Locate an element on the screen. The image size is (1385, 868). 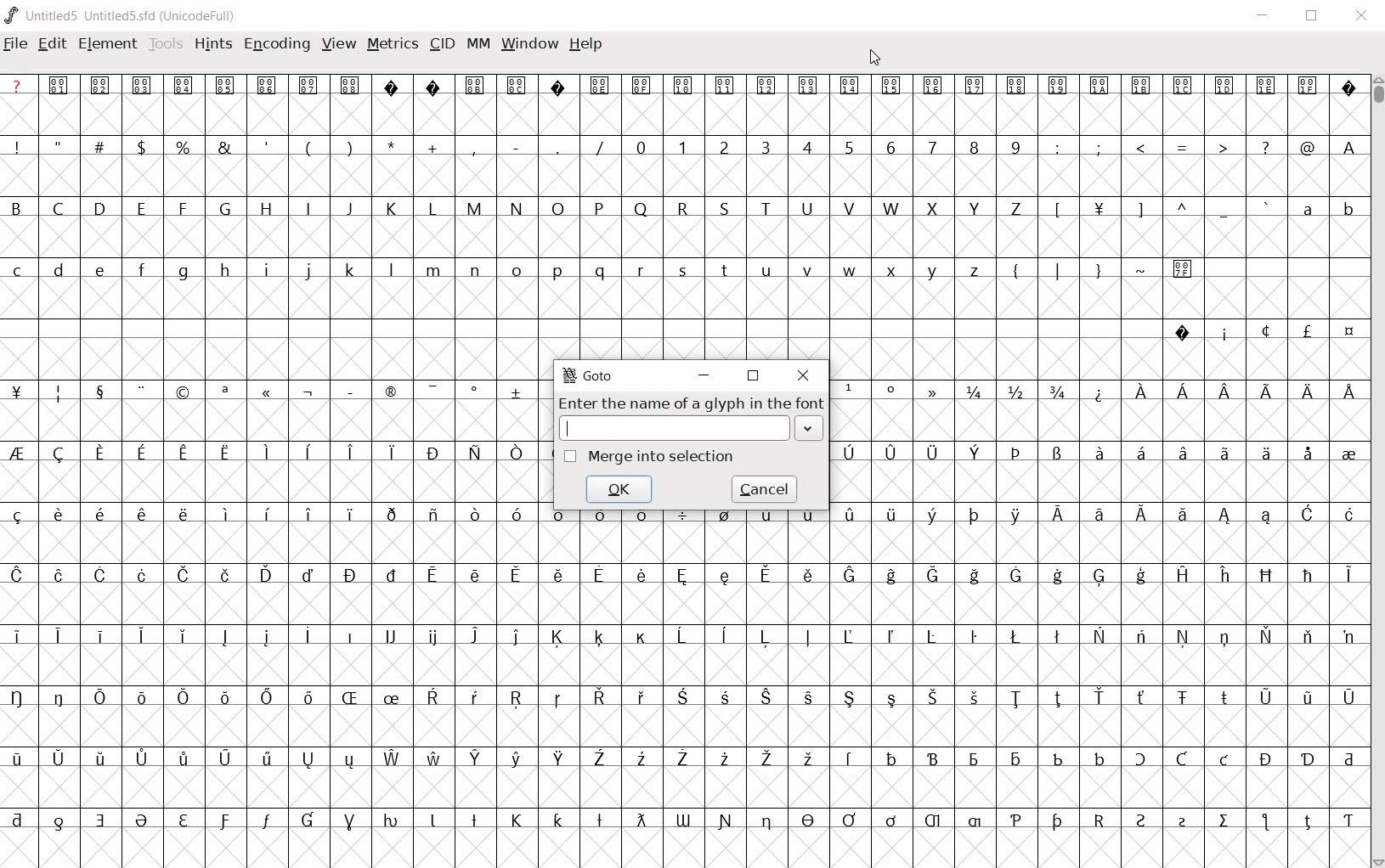
Symbol is located at coordinates (1057, 454).